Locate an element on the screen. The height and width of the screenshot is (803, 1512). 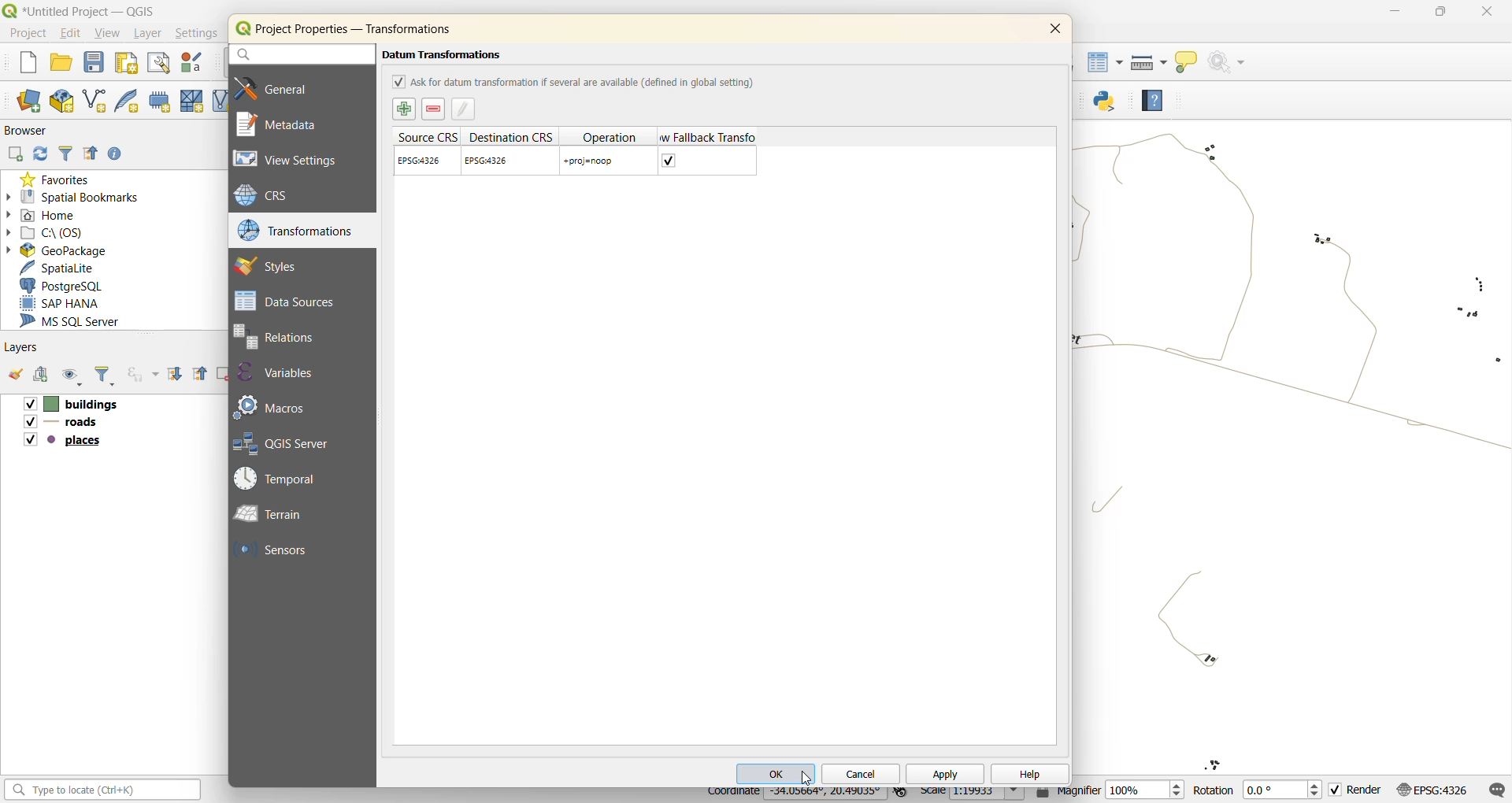
ok is located at coordinates (776, 772).